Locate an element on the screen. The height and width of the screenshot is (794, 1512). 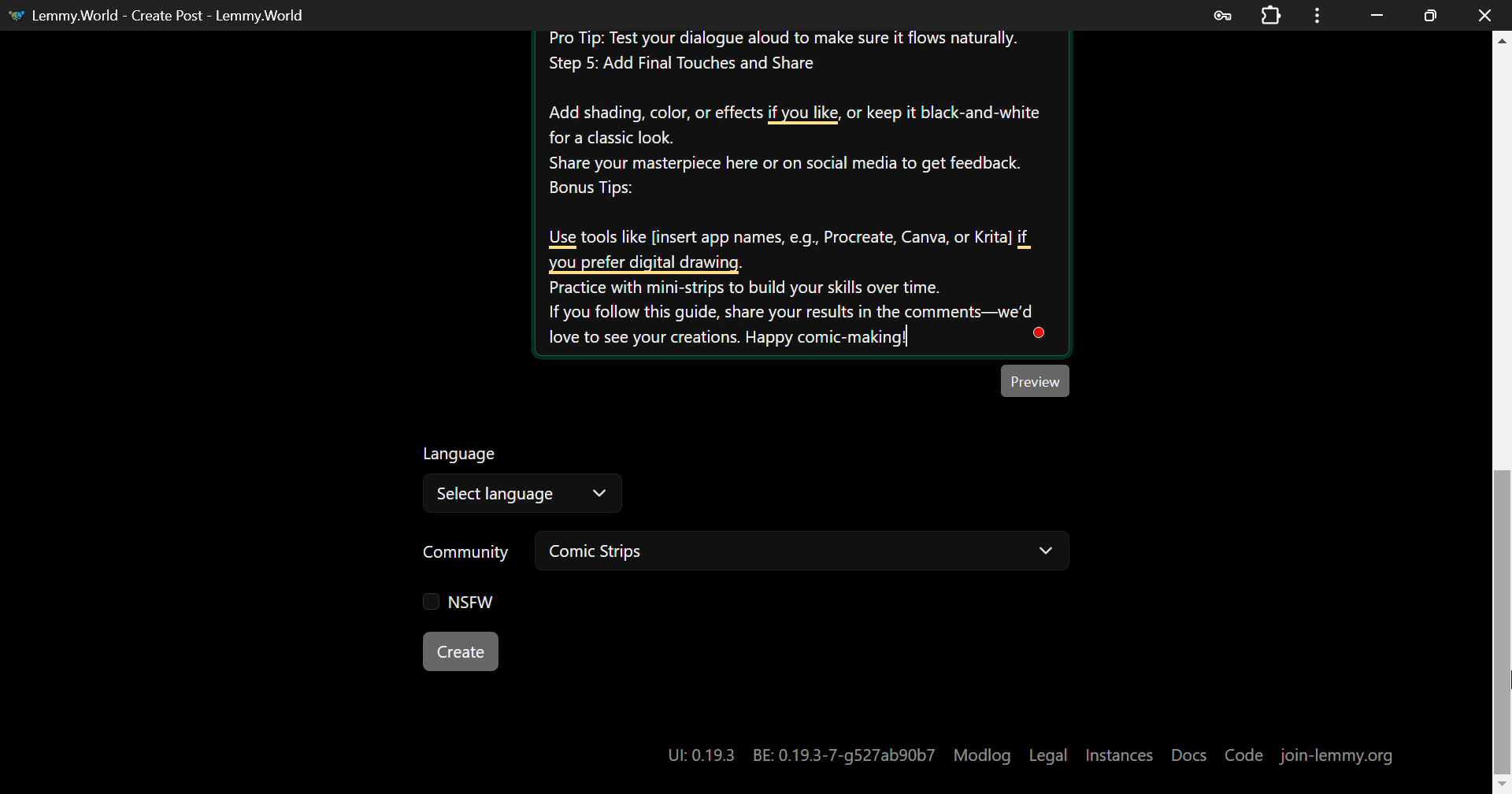
Menu is located at coordinates (1322, 14).